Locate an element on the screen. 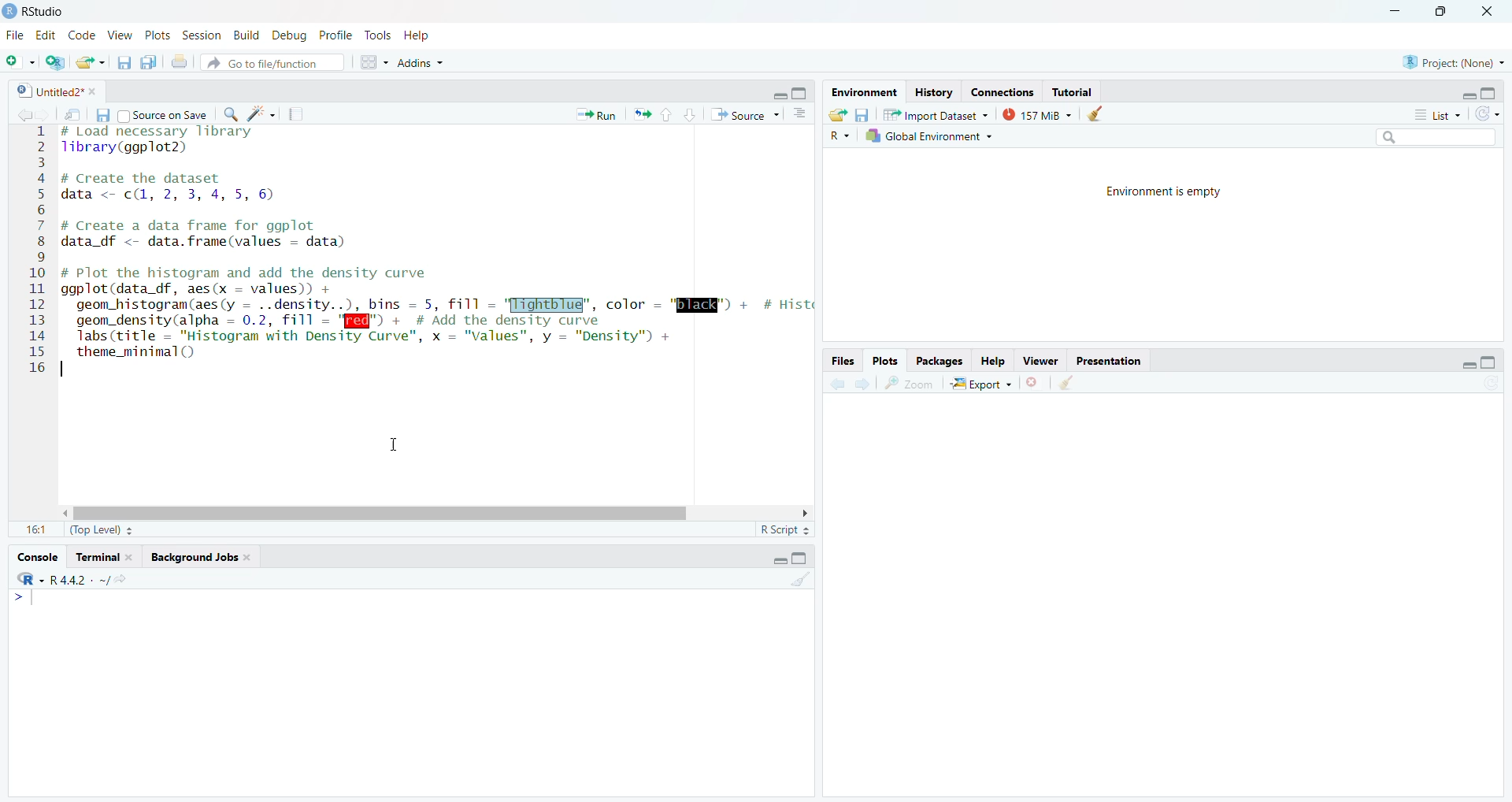  print the current file is located at coordinates (180, 64).